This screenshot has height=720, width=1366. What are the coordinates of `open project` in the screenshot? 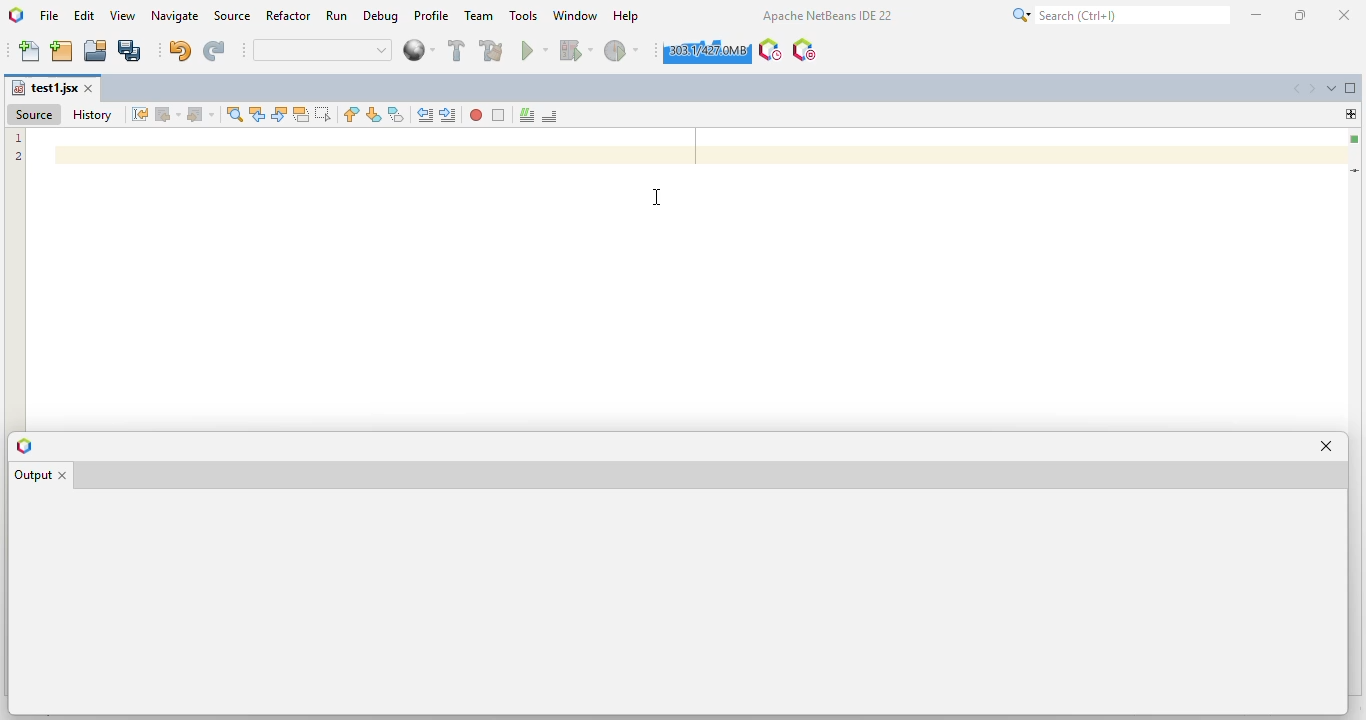 It's located at (95, 50).